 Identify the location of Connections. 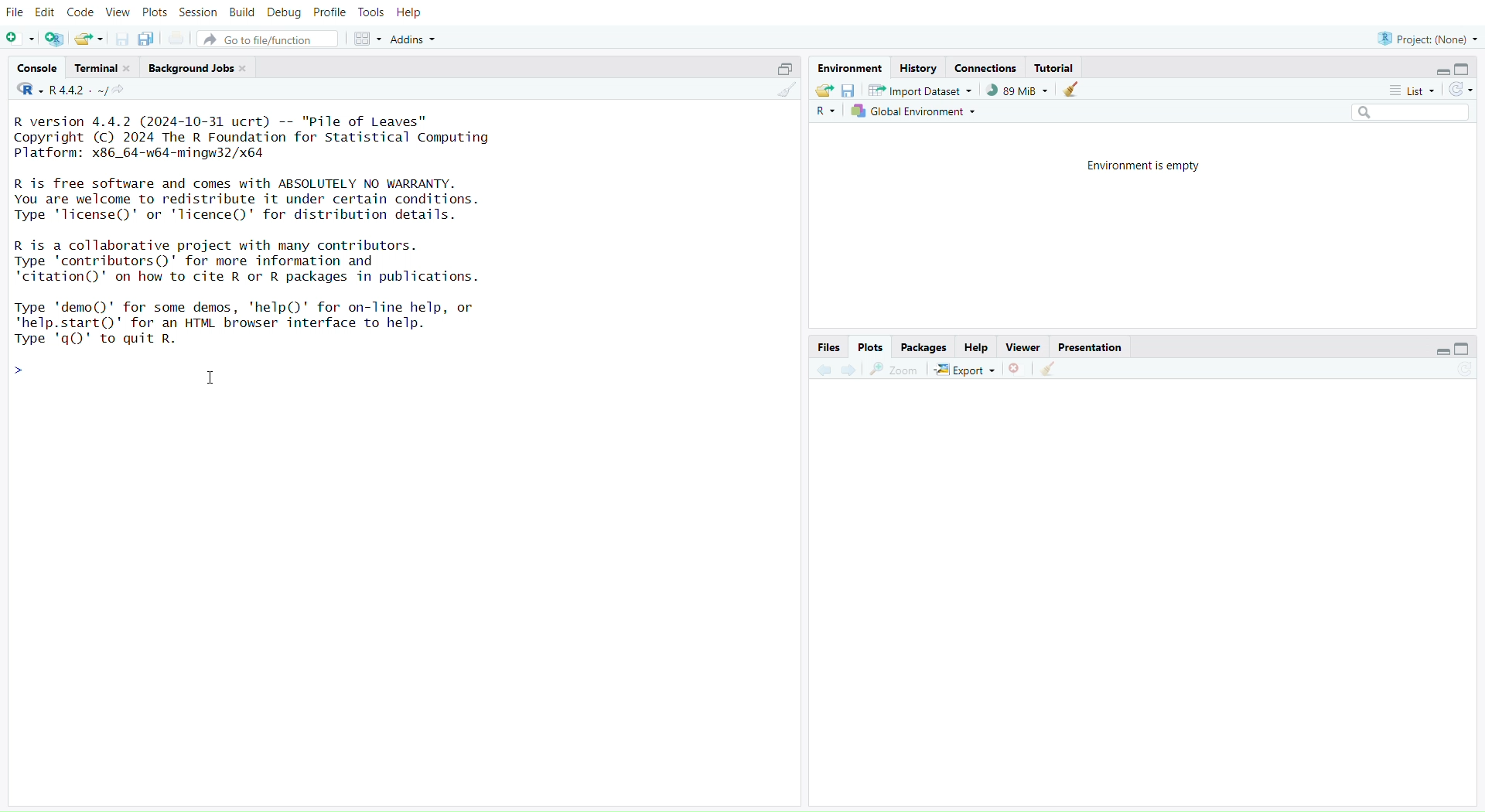
(985, 67).